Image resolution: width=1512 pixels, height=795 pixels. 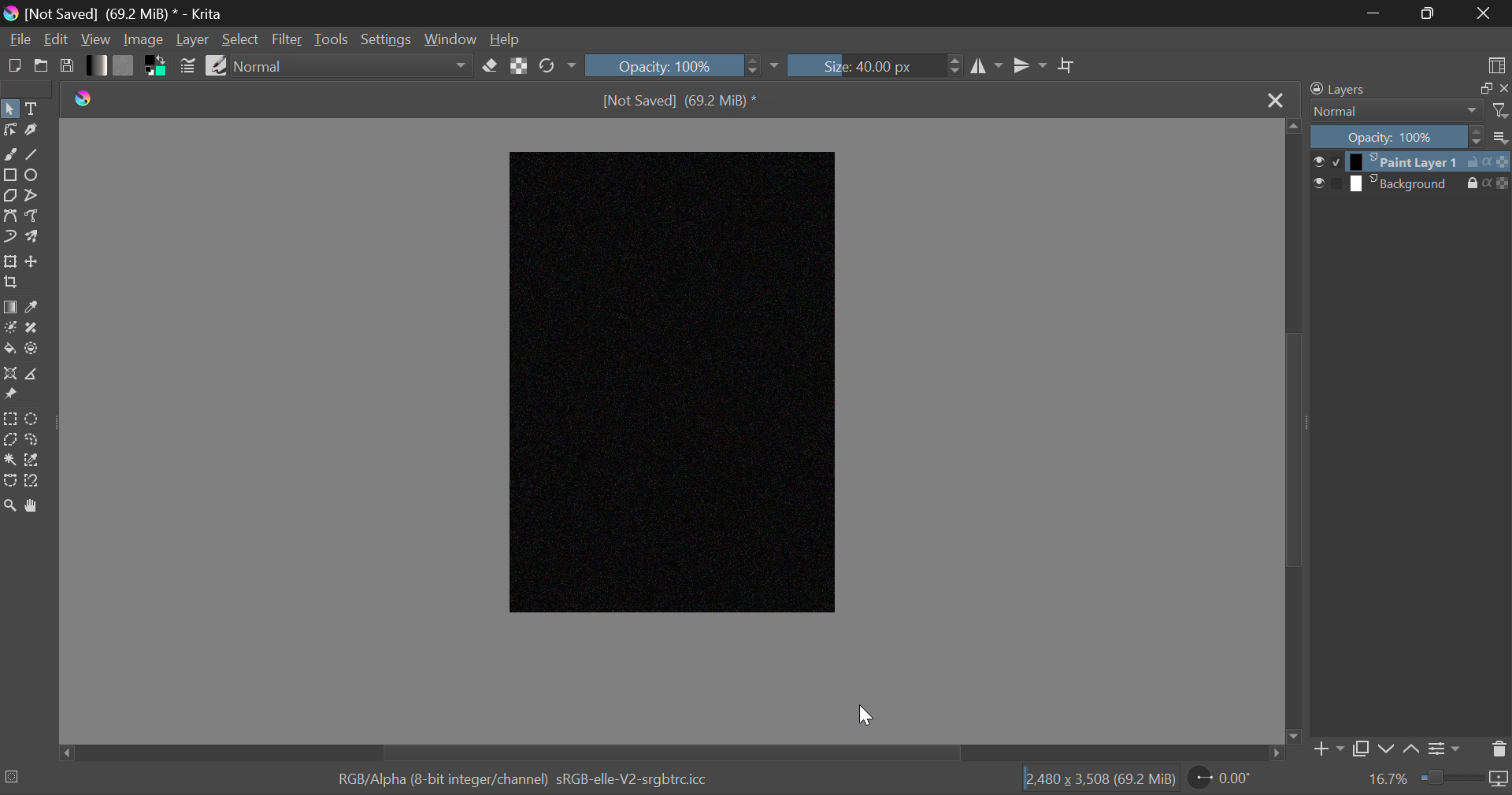 I want to click on Layer, so click(x=193, y=40).